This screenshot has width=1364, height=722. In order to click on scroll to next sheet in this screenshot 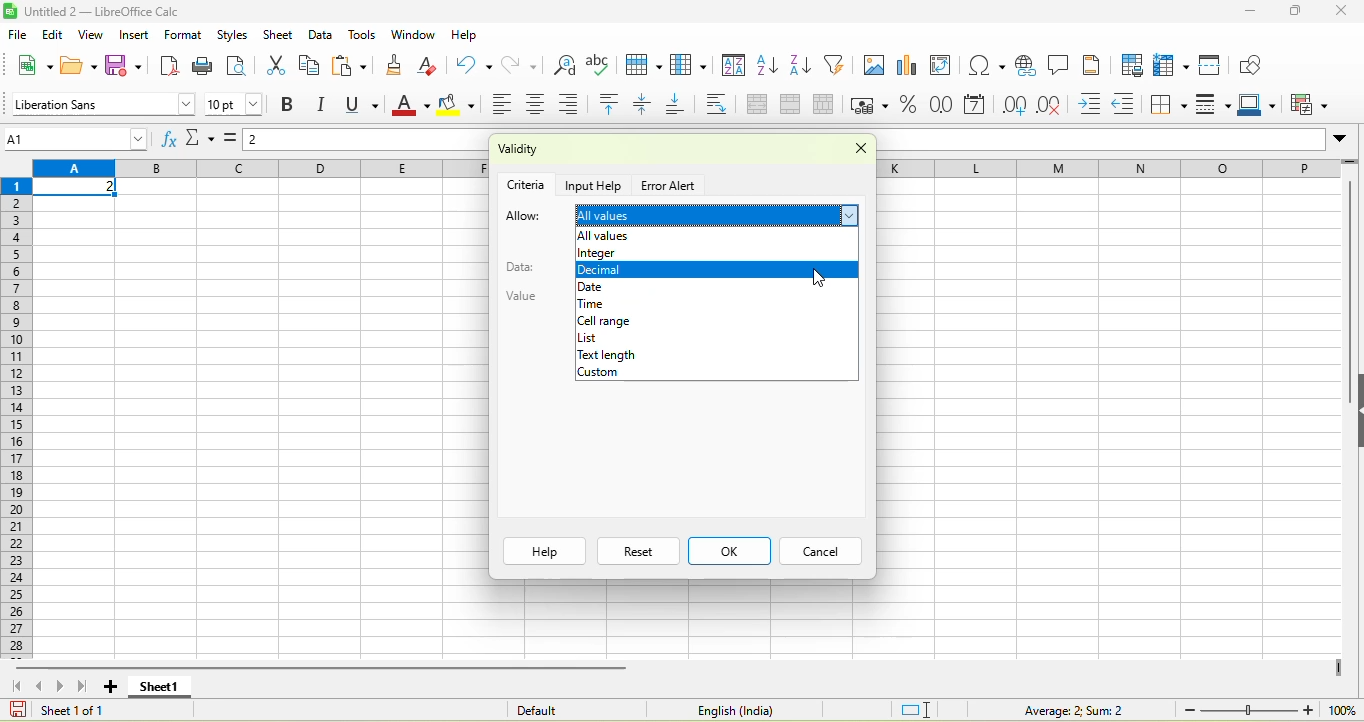, I will do `click(63, 687)`.